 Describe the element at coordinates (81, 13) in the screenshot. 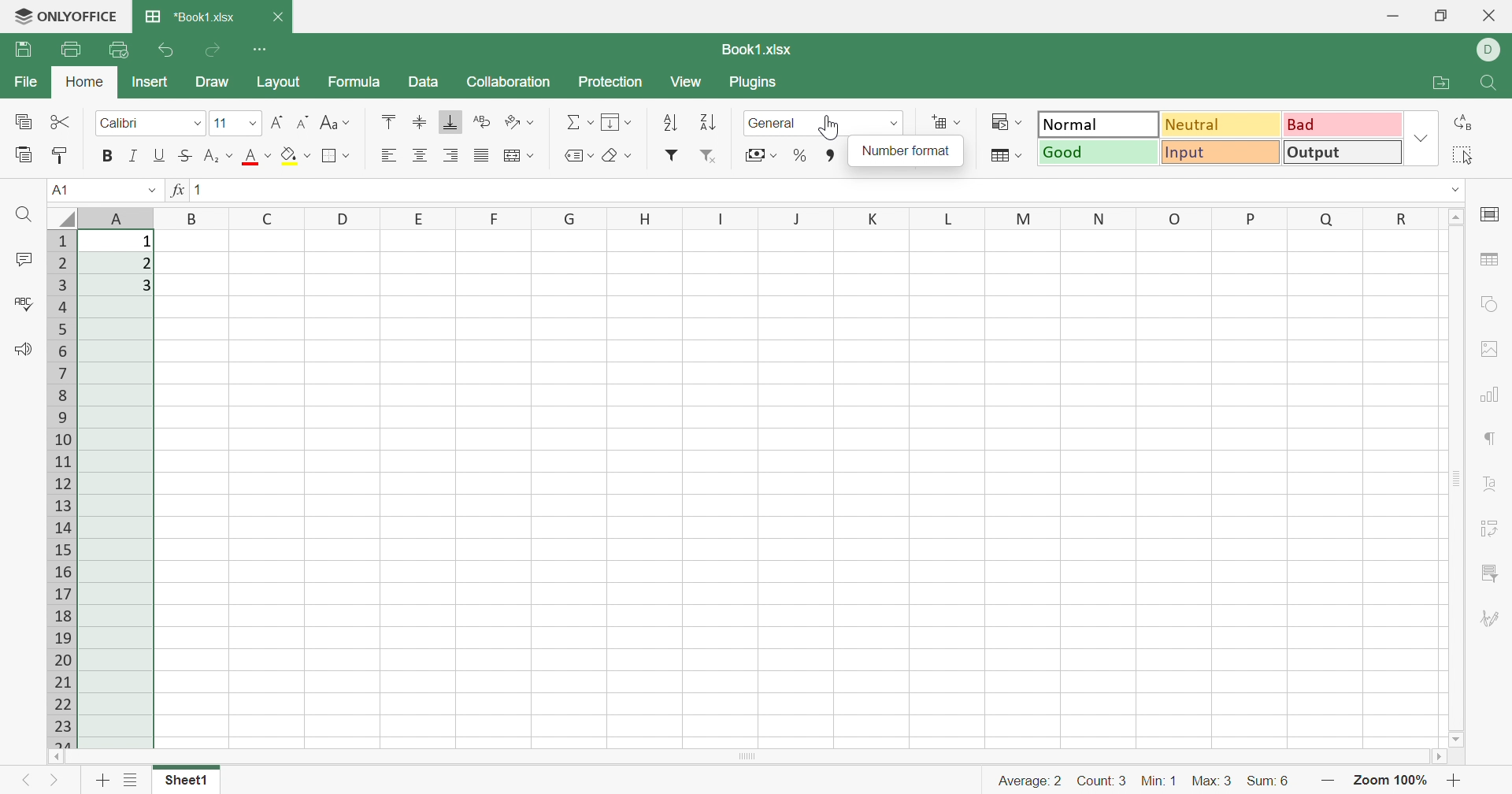

I see `ONLYOFFICE` at that location.